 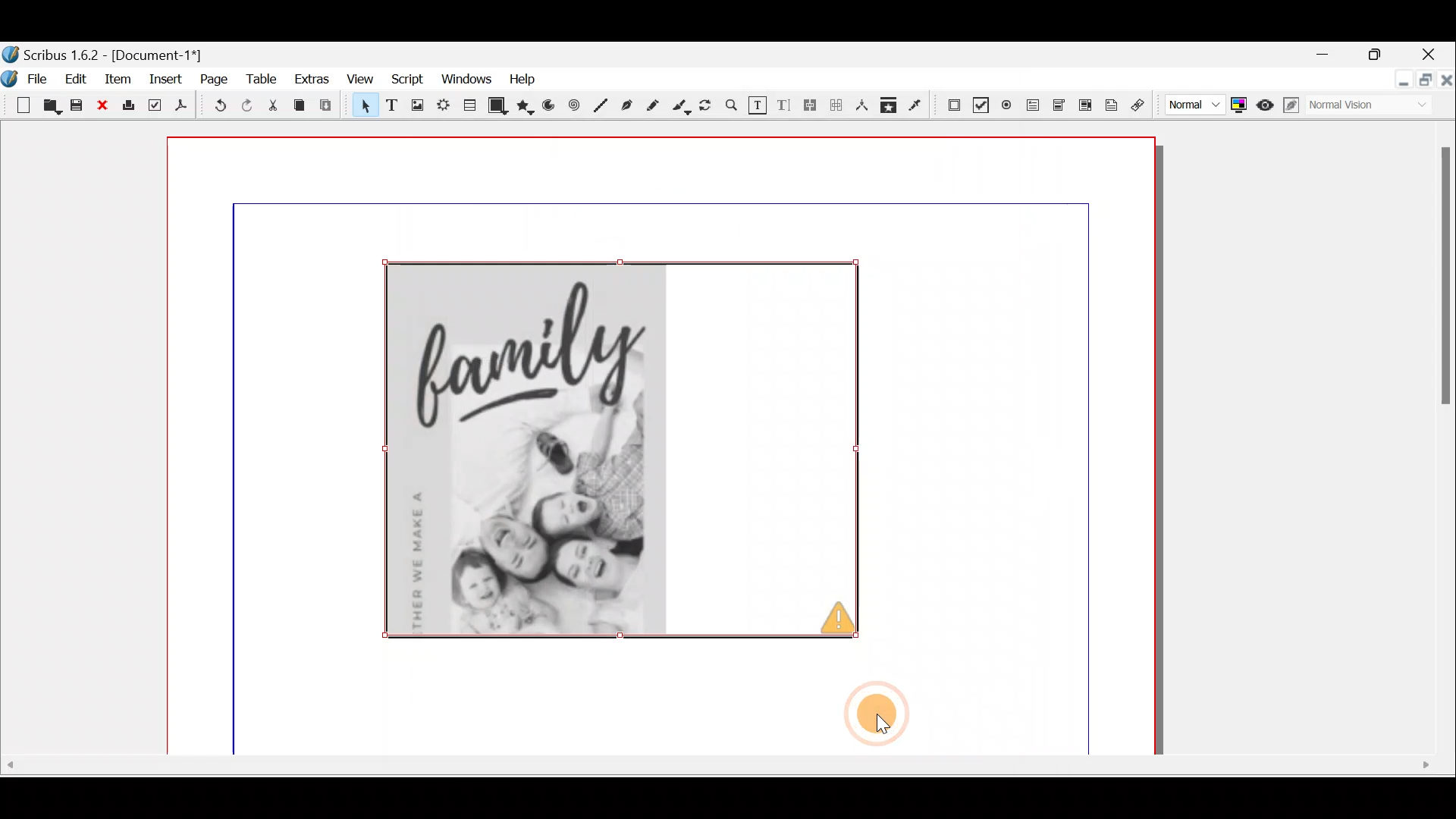 I want to click on PDF push button, so click(x=947, y=105).